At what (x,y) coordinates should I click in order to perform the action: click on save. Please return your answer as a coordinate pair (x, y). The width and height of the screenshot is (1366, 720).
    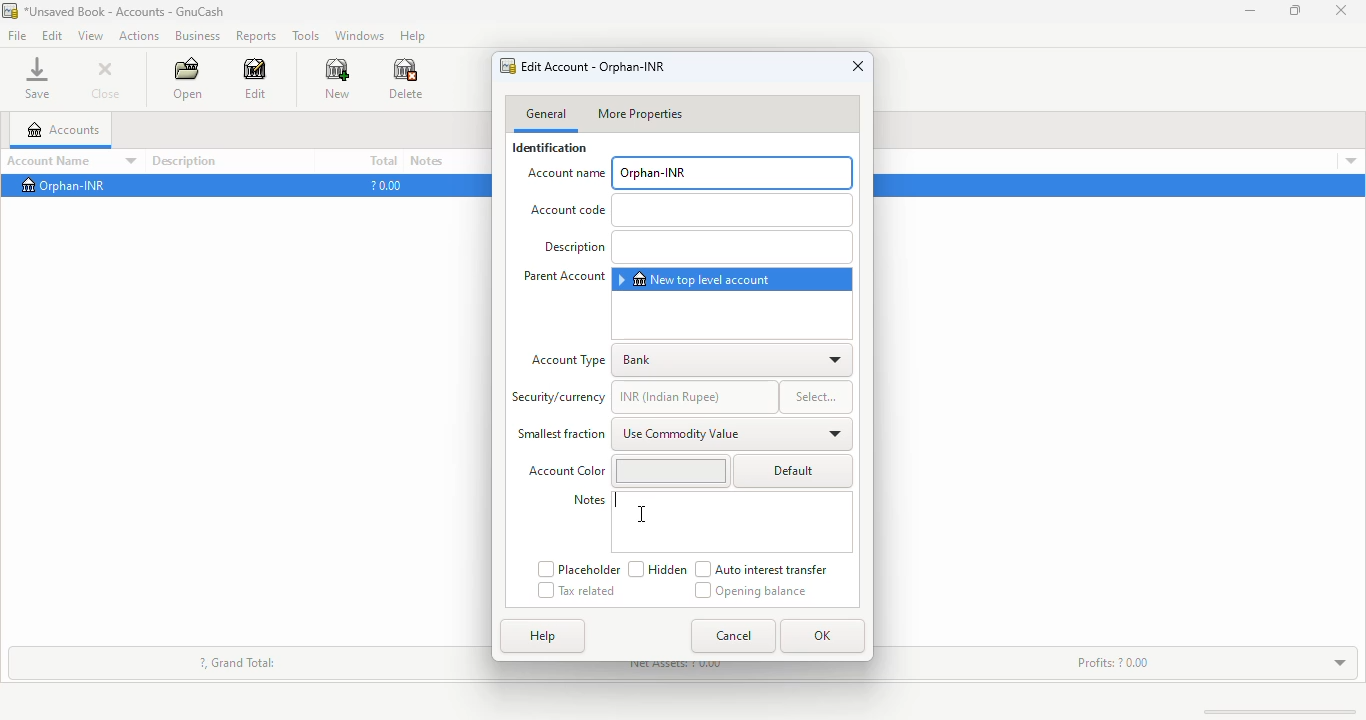
    Looking at the image, I should click on (38, 78).